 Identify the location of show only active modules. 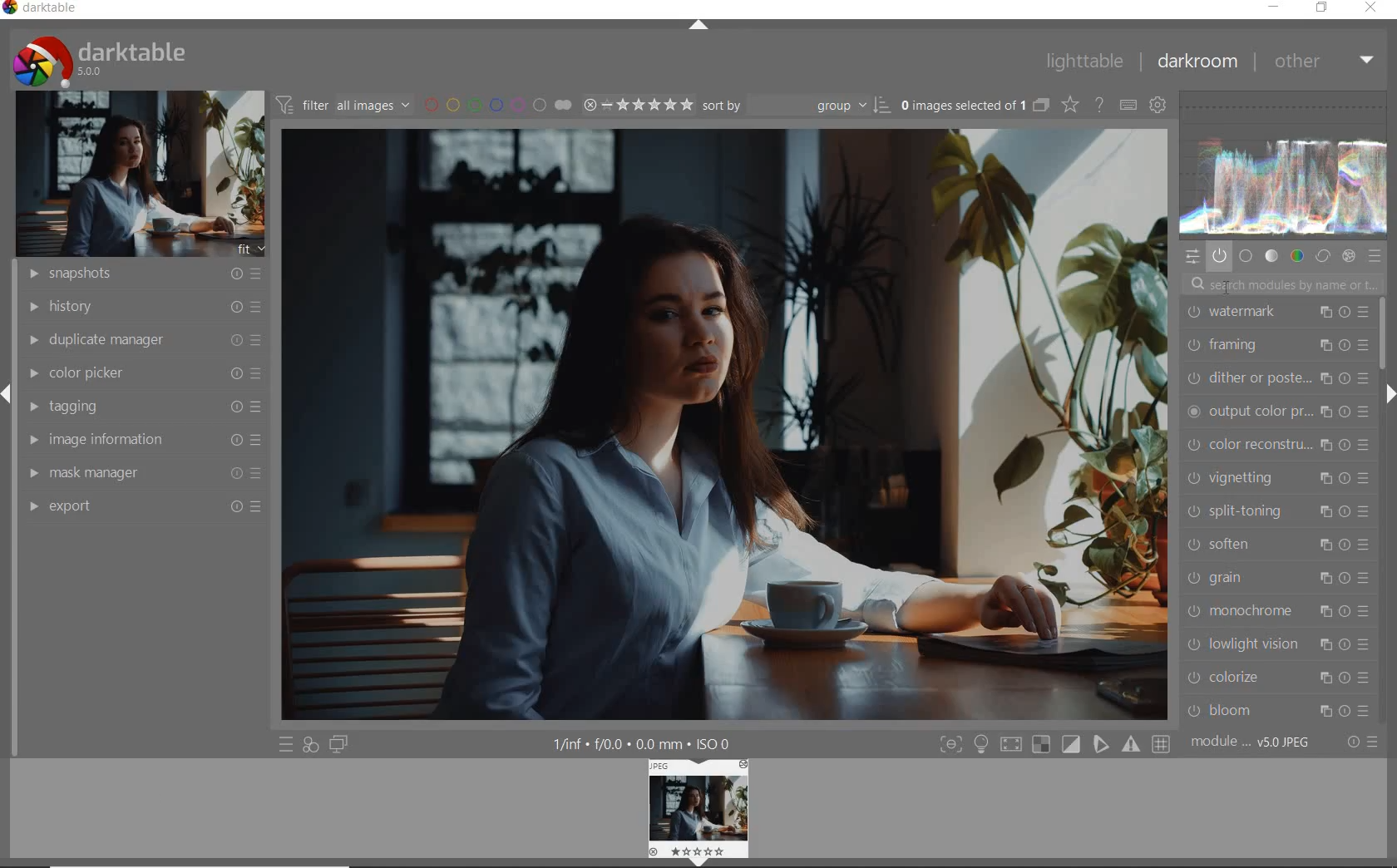
(1220, 255).